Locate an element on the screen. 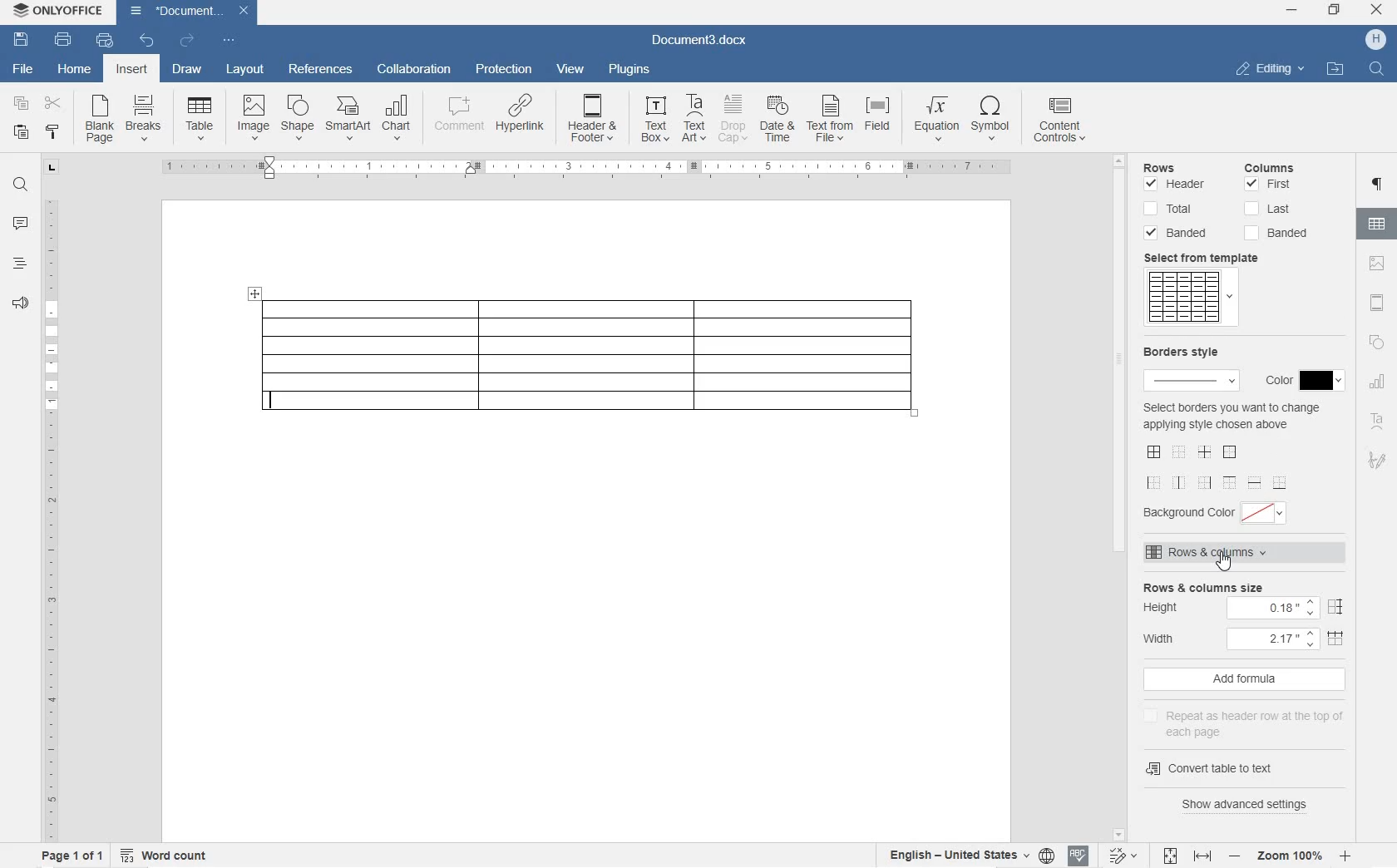 The height and width of the screenshot is (868, 1397). BLANK PAGE is located at coordinates (101, 120).